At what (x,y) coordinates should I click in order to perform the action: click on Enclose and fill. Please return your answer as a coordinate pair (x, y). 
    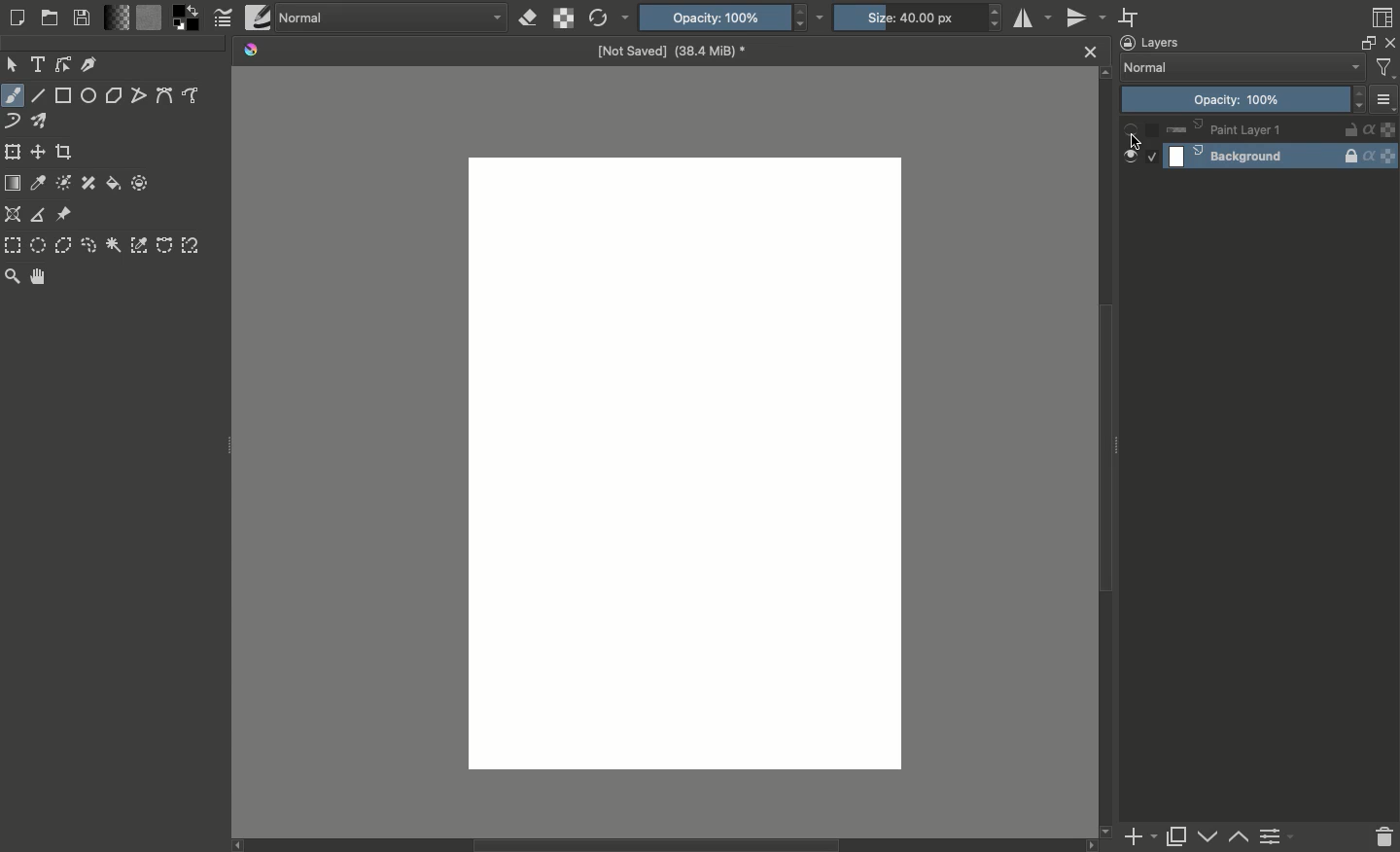
    Looking at the image, I should click on (140, 183).